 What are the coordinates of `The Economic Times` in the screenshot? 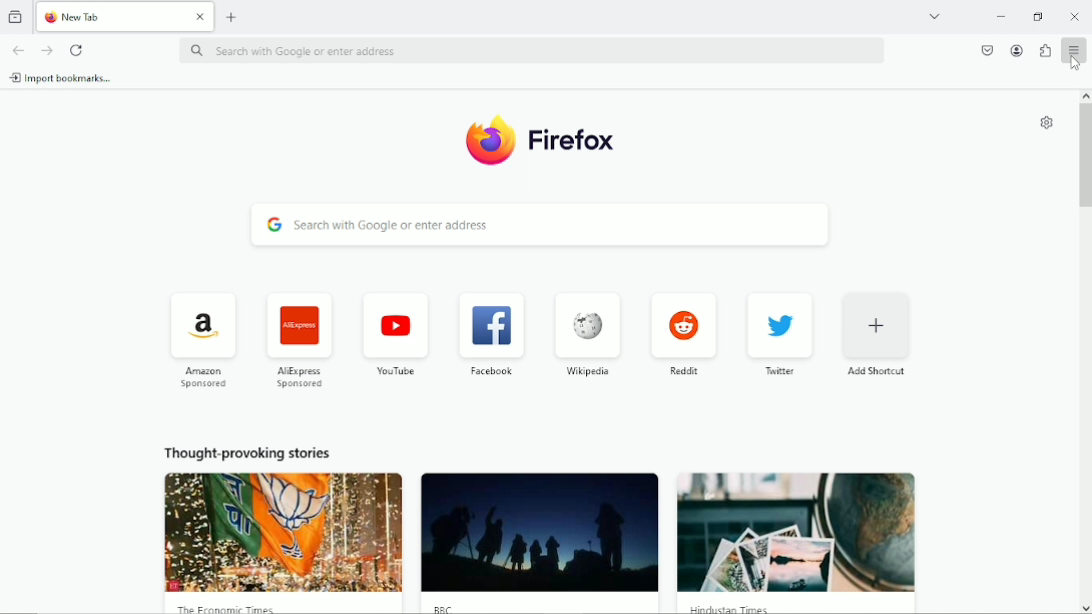 It's located at (228, 607).